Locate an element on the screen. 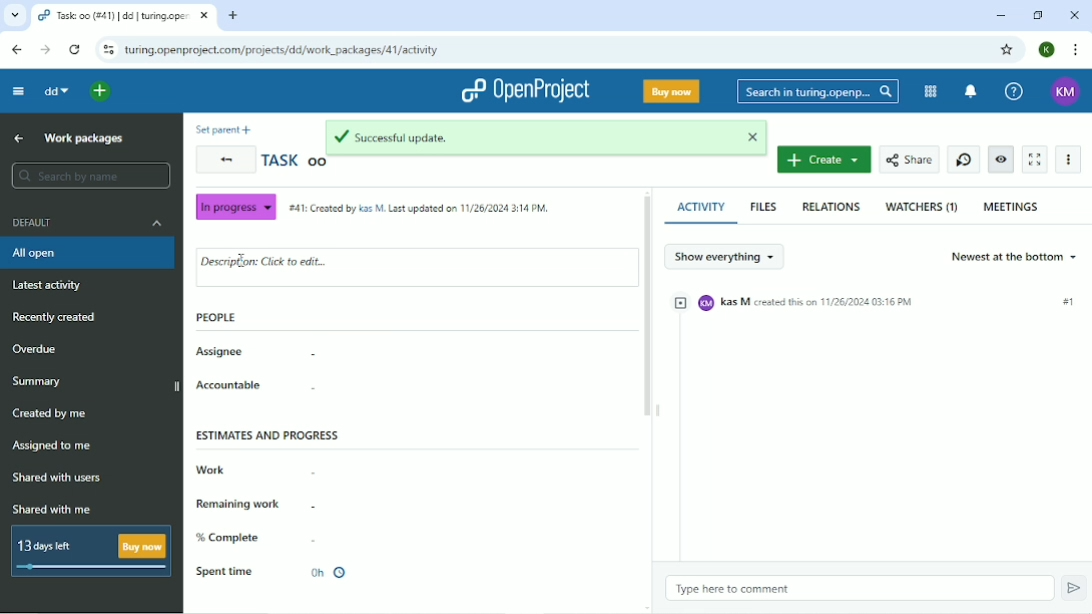 The height and width of the screenshot is (614, 1092). Submit comment is located at coordinates (1073, 588).